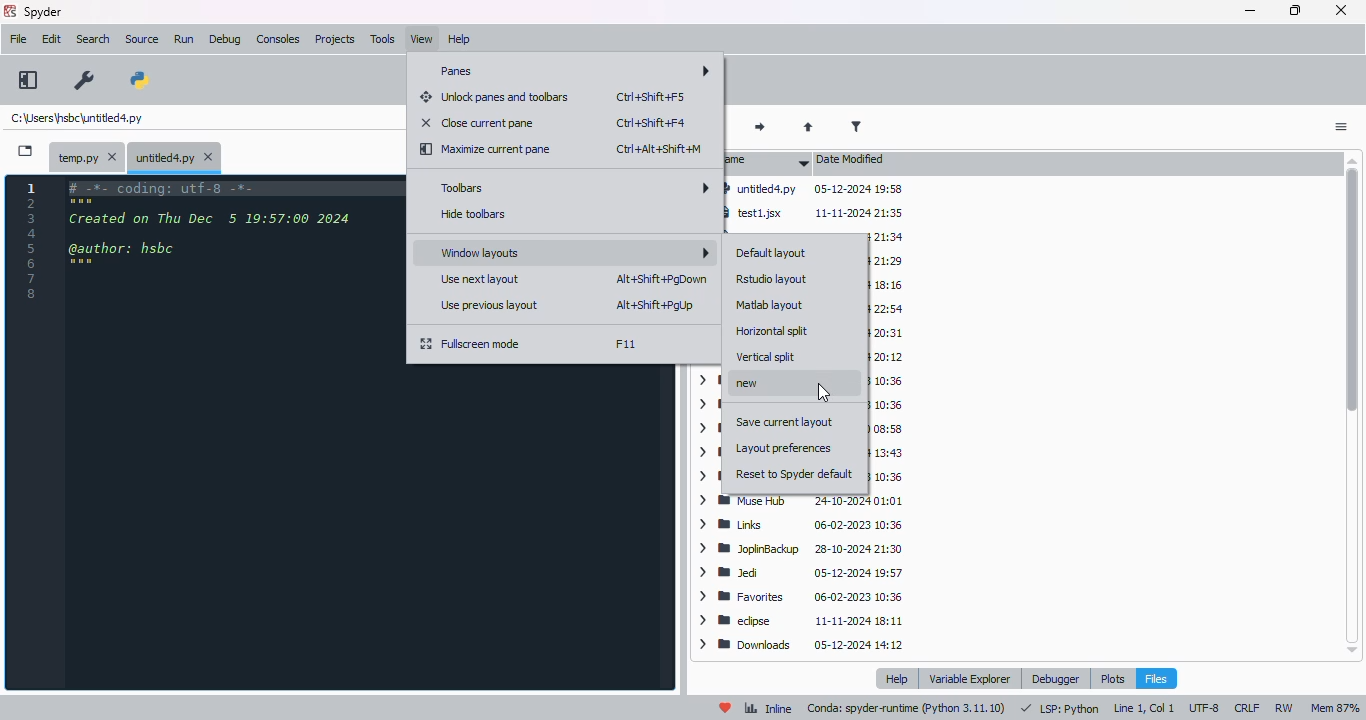 This screenshot has height=720, width=1366. Describe the element at coordinates (228, 431) in the screenshot. I see `editor` at that location.